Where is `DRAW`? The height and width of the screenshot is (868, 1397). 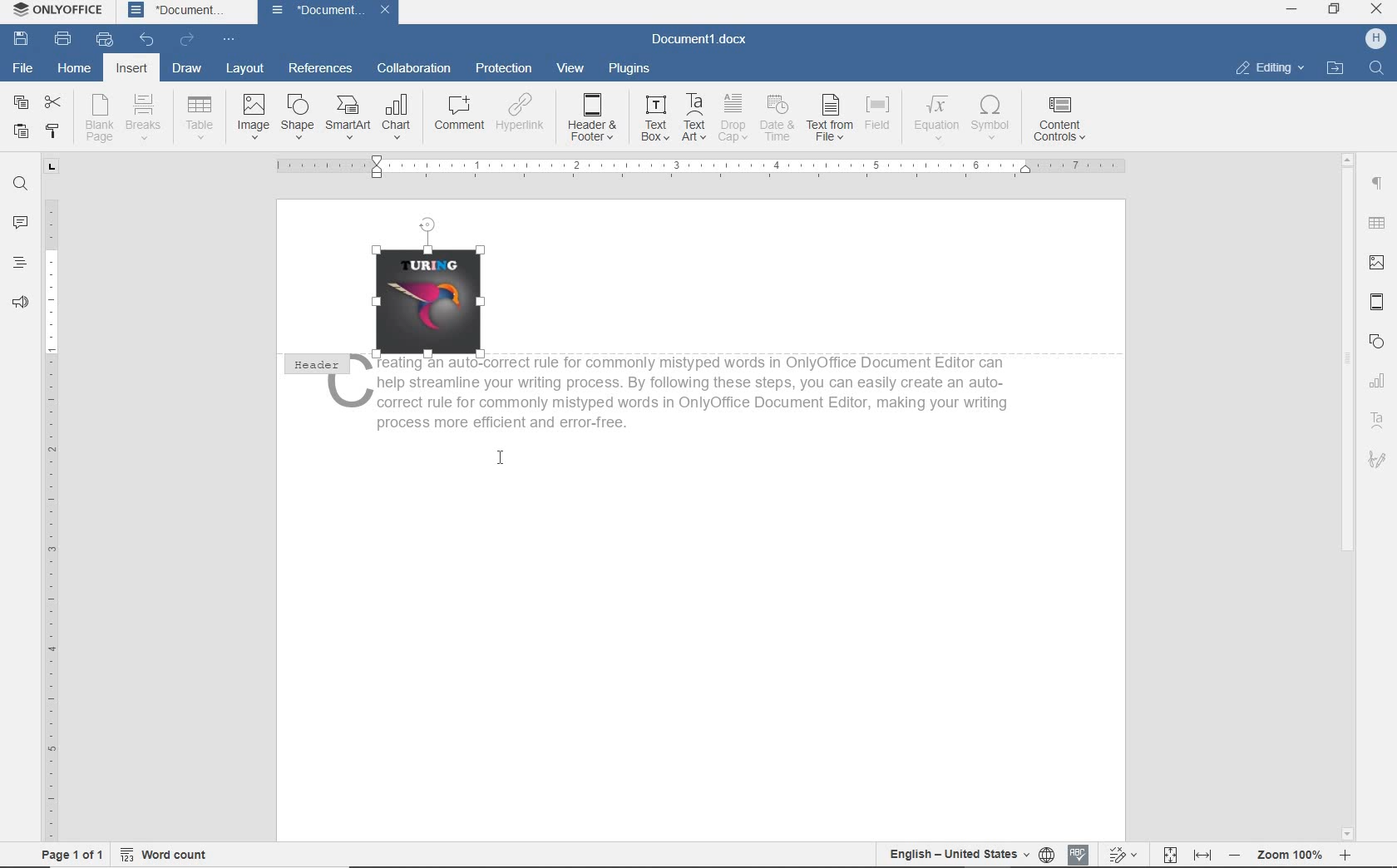
DRAW is located at coordinates (187, 69).